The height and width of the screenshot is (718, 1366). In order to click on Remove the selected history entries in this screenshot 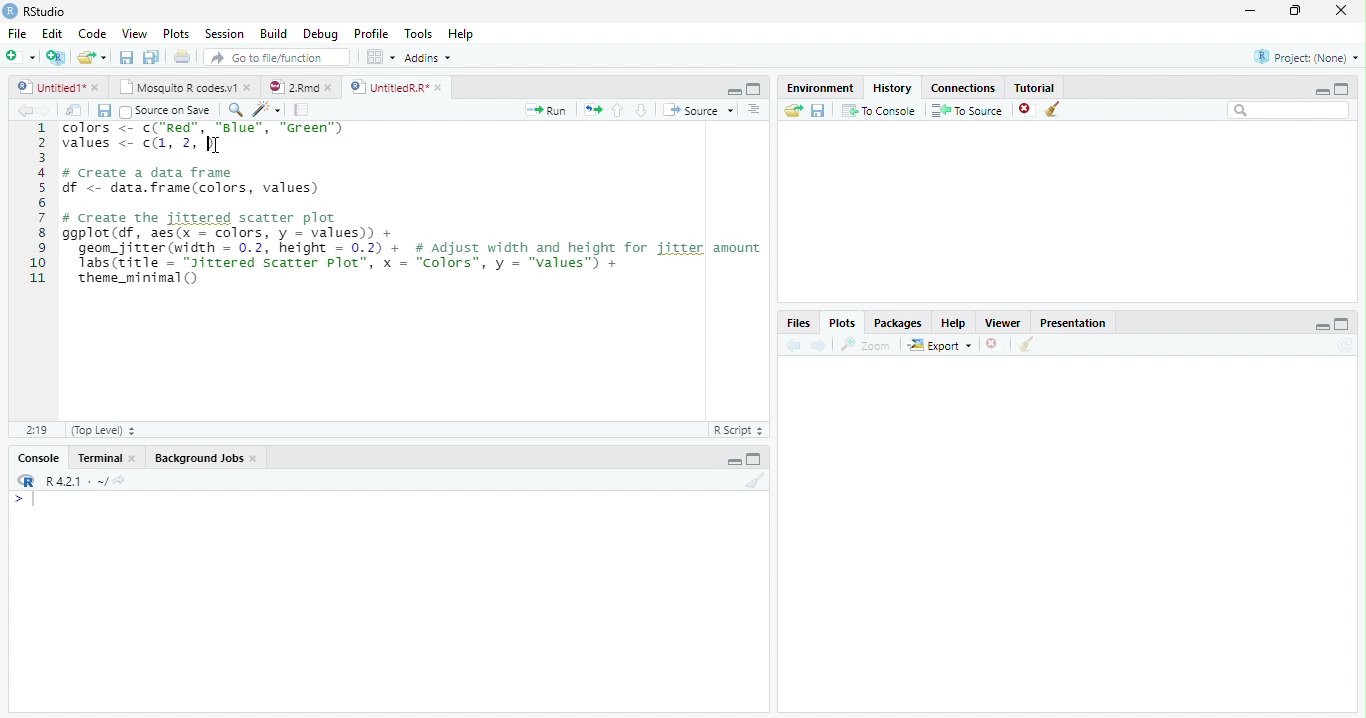, I will do `click(1027, 110)`.